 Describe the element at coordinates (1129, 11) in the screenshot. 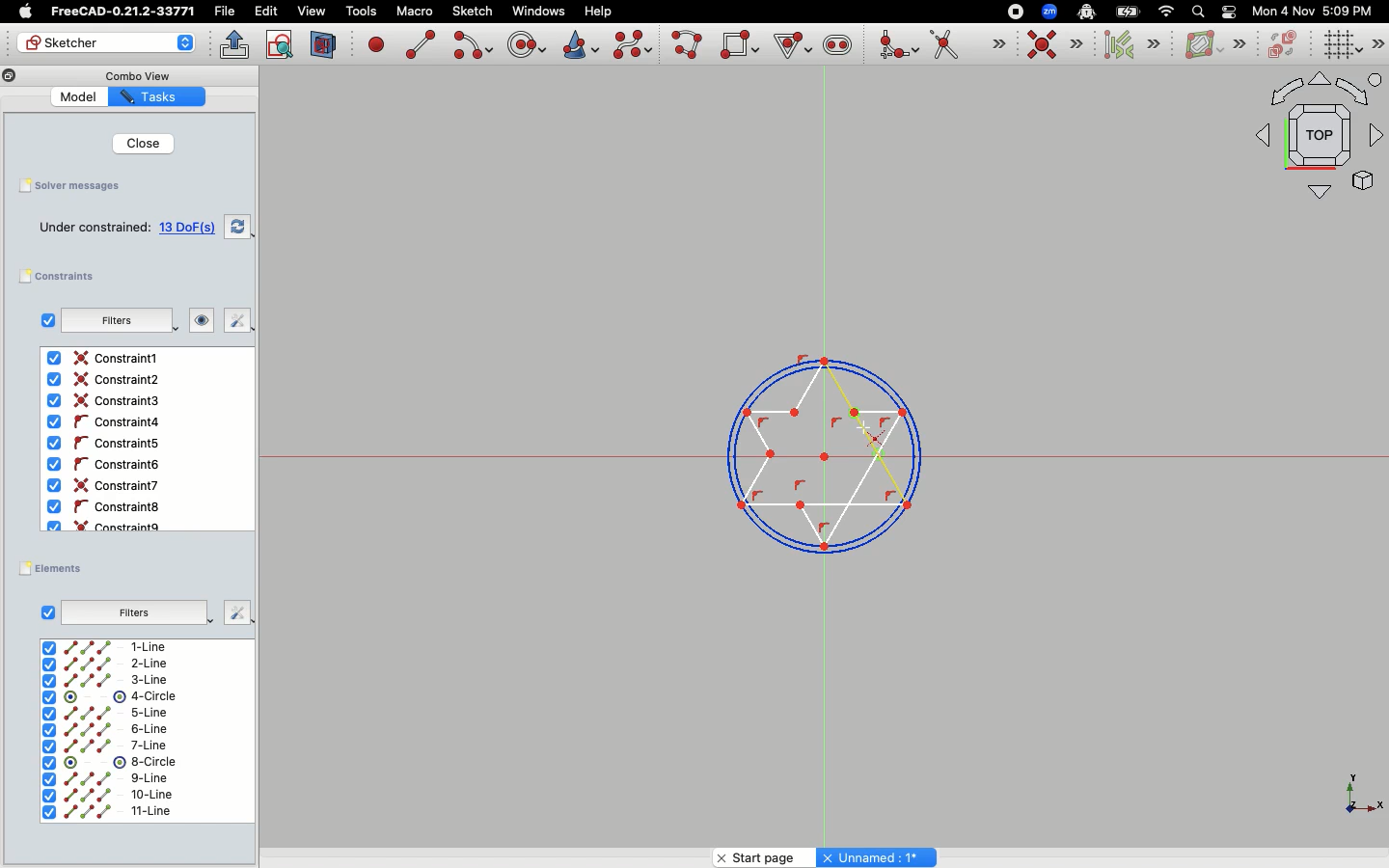

I see `Battery` at that location.